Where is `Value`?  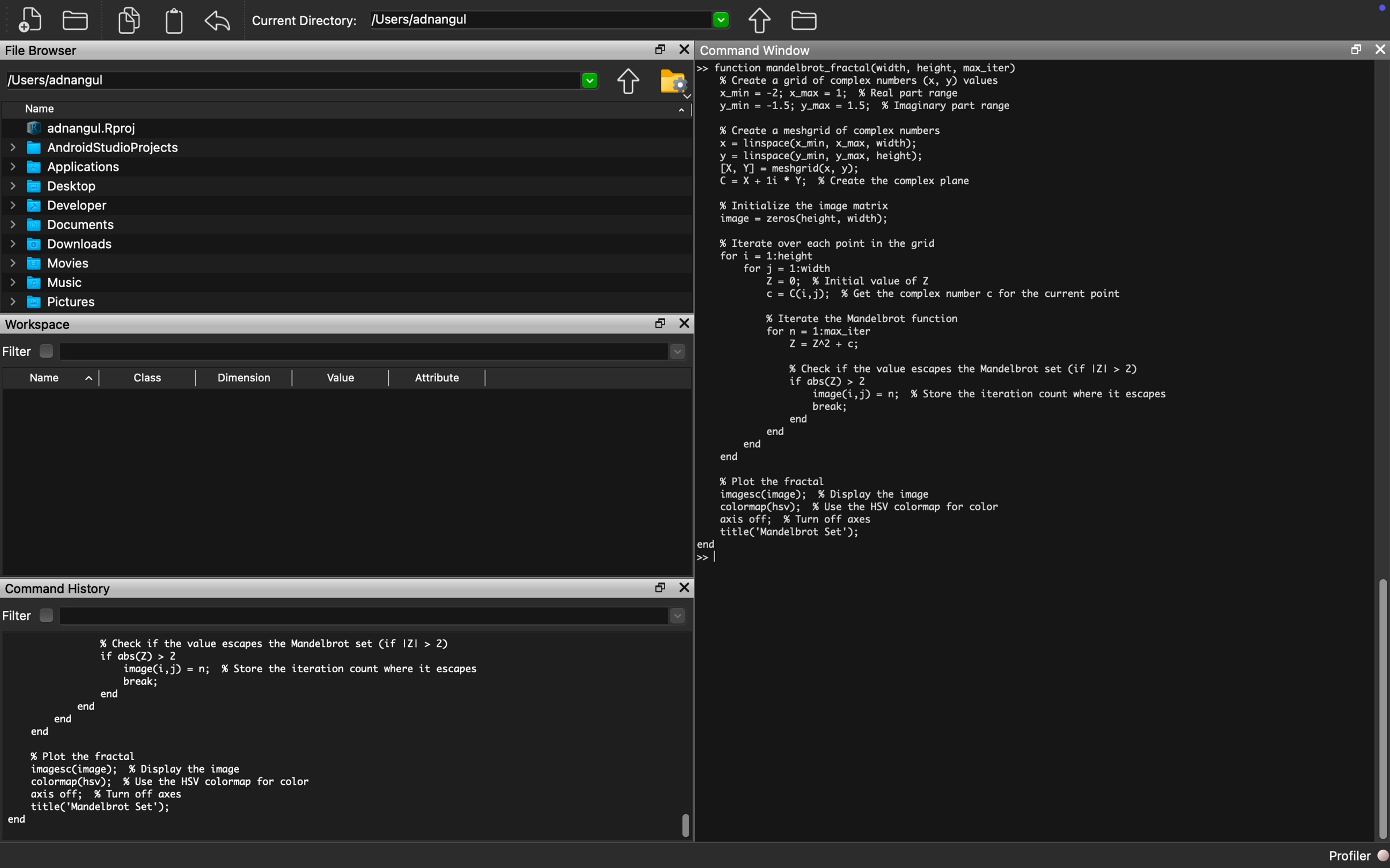
Value is located at coordinates (341, 378).